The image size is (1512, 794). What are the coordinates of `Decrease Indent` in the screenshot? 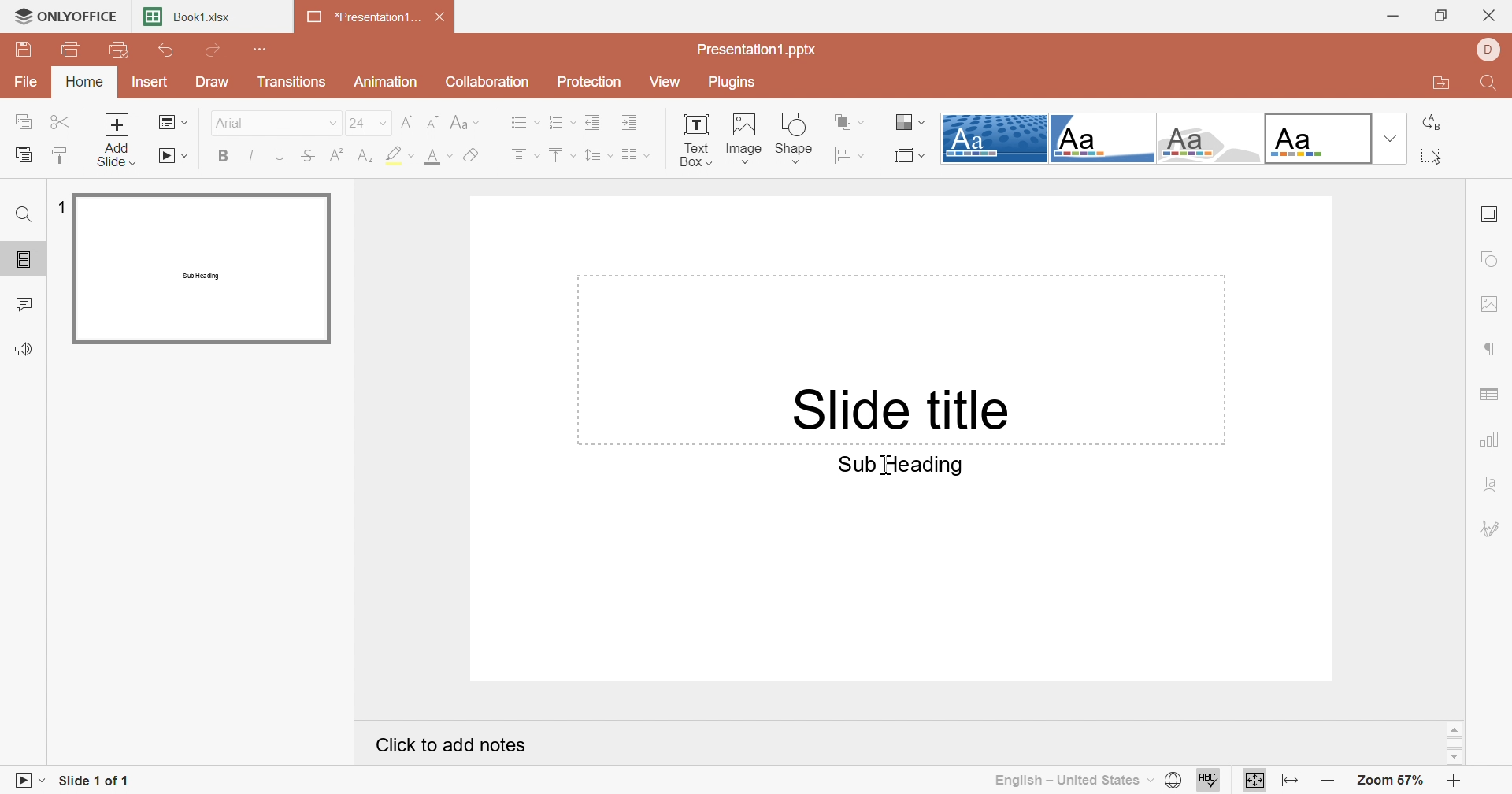 It's located at (594, 121).